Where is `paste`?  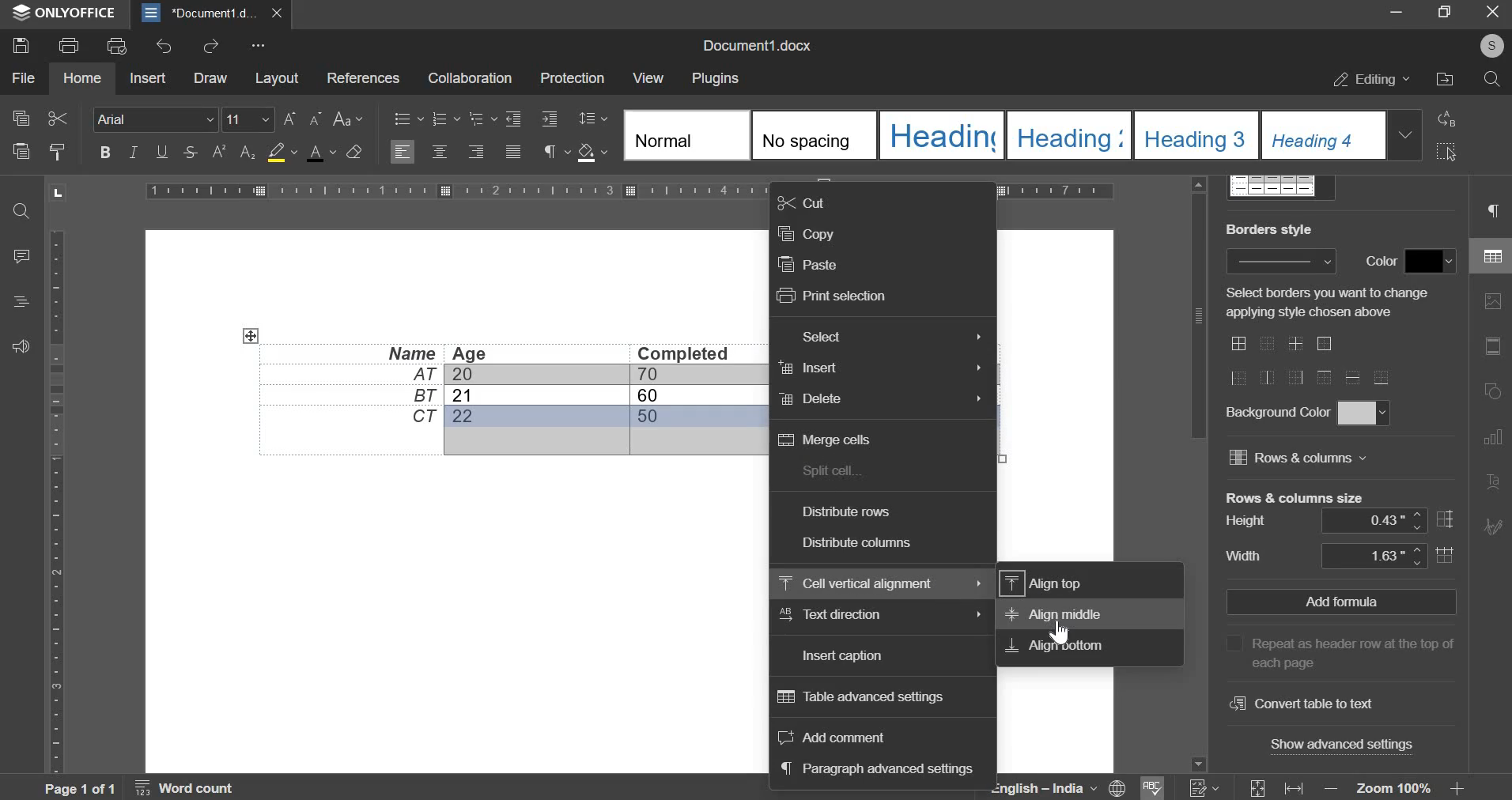
paste is located at coordinates (19, 151).